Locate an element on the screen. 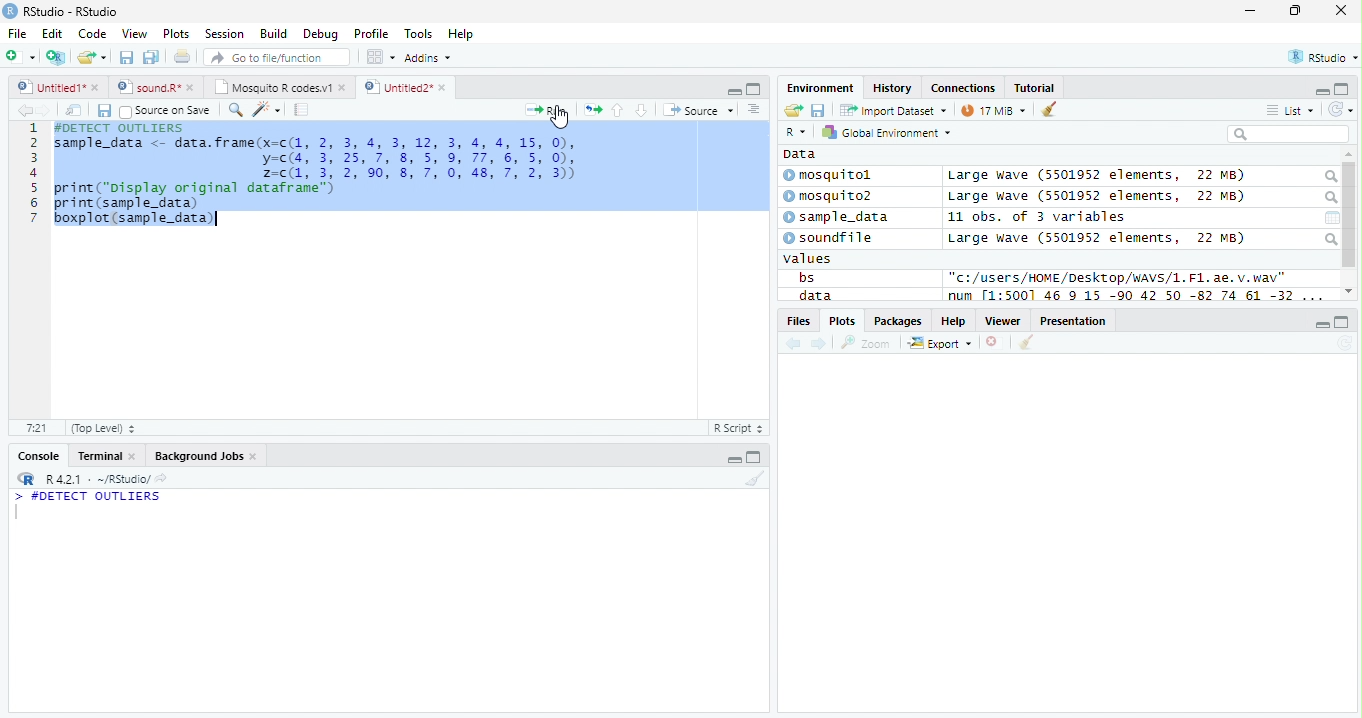 This screenshot has width=1362, height=718. Help is located at coordinates (954, 320).